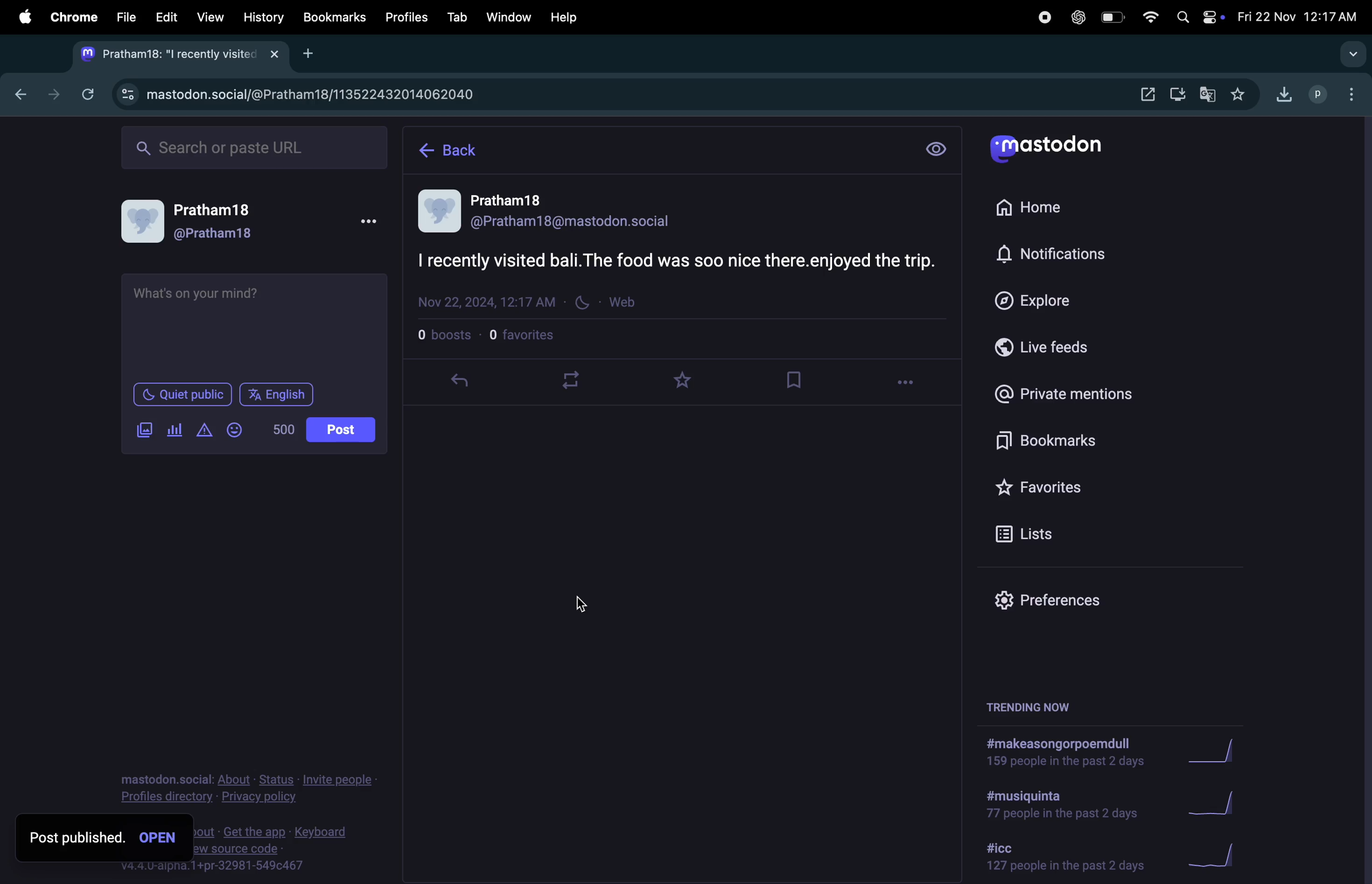  Describe the element at coordinates (1030, 298) in the screenshot. I see `explore` at that location.